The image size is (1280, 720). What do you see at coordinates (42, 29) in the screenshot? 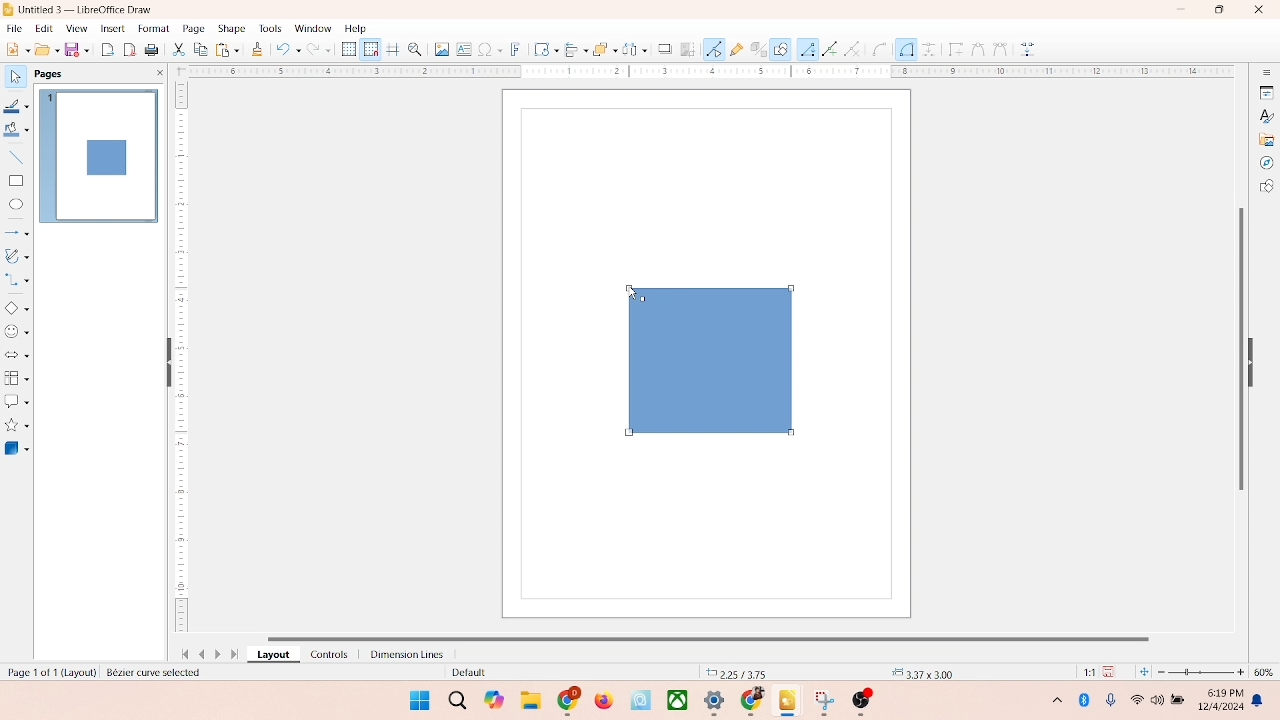
I see `edit` at bounding box center [42, 29].